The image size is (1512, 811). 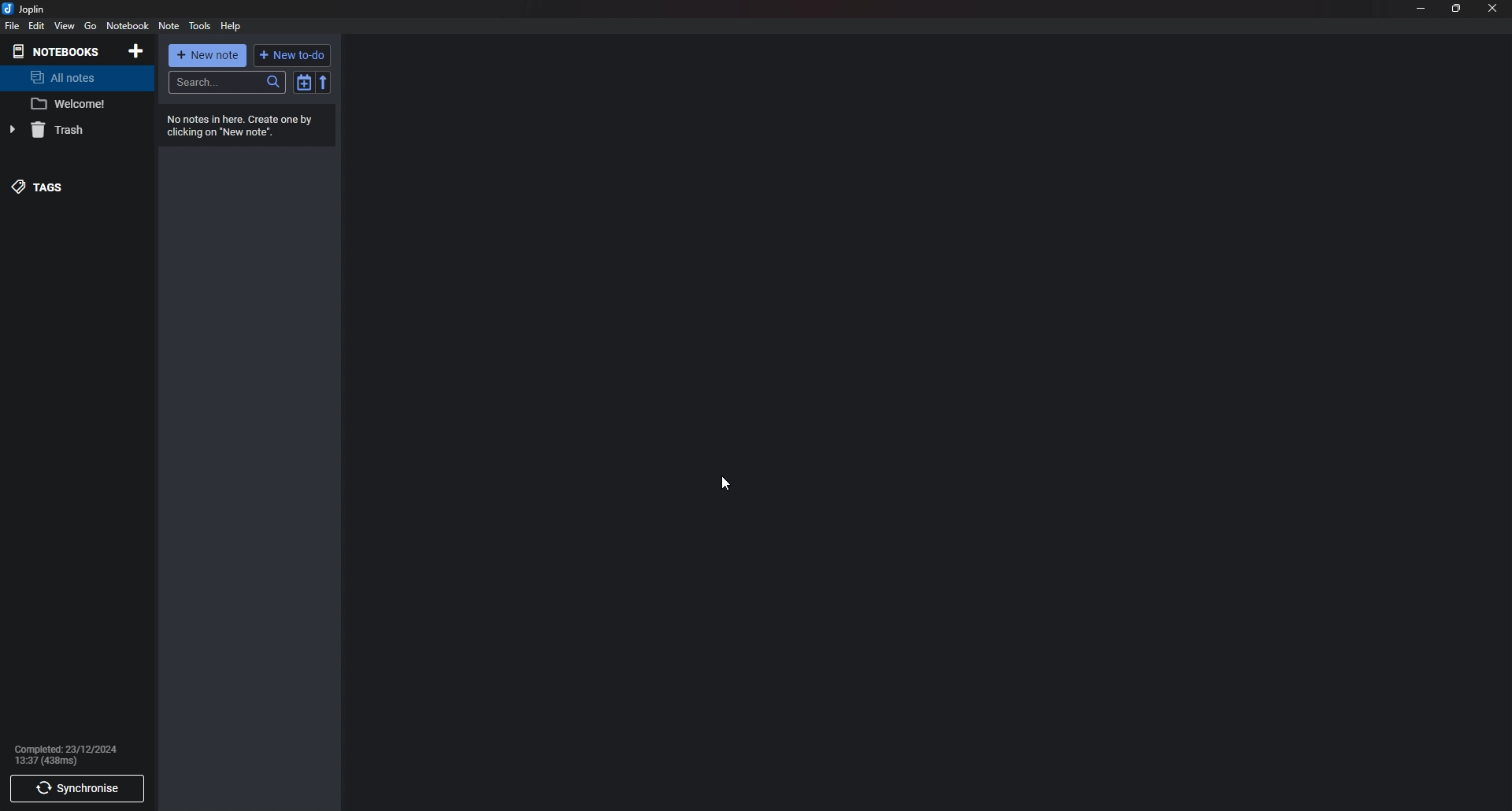 What do you see at coordinates (78, 789) in the screenshot?
I see `Synchronize` at bounding box center [78, 789].